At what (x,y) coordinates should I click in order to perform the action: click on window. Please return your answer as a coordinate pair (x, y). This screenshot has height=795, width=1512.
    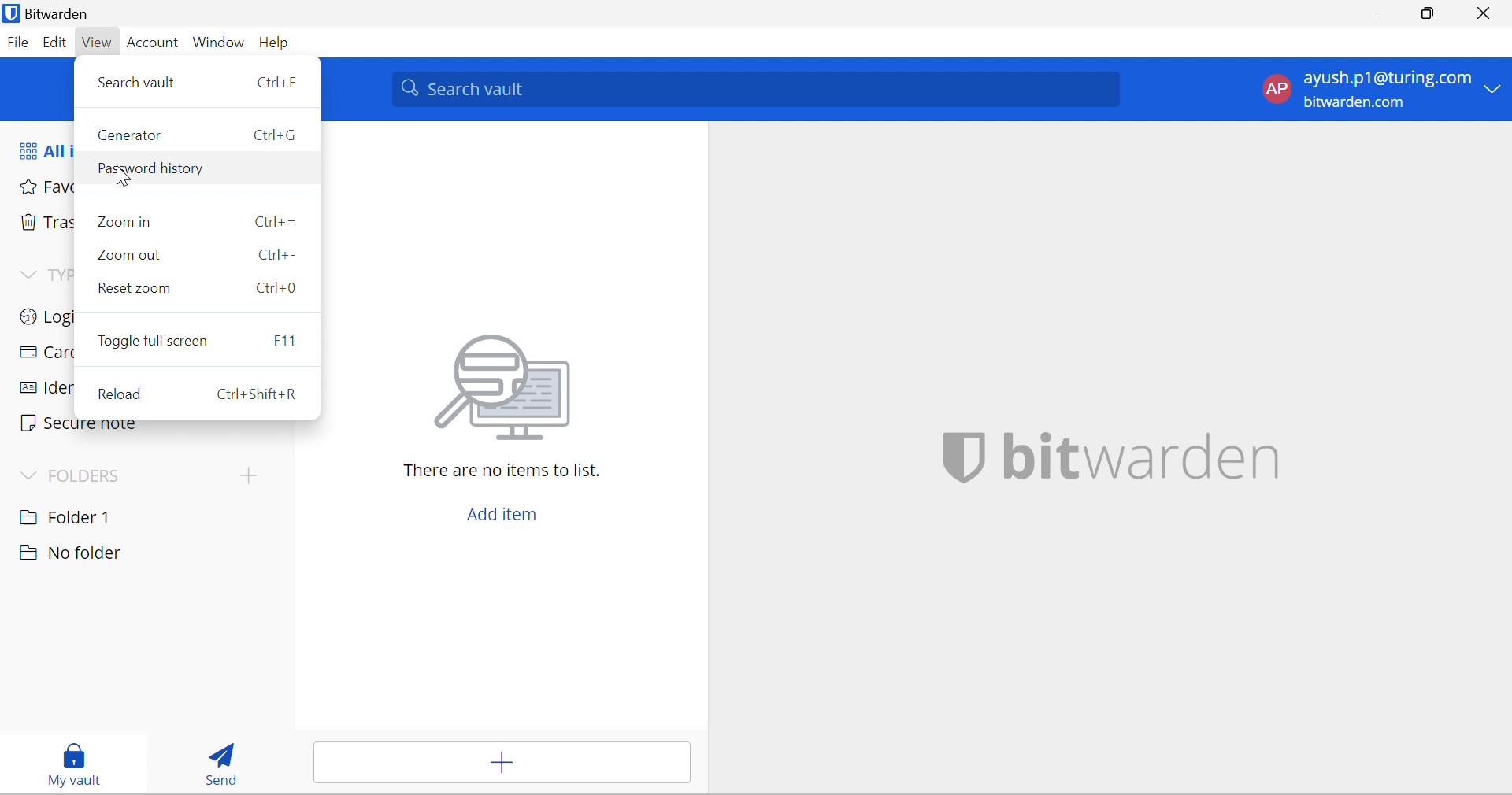
    Looking at the image, I should click on (220, 44).